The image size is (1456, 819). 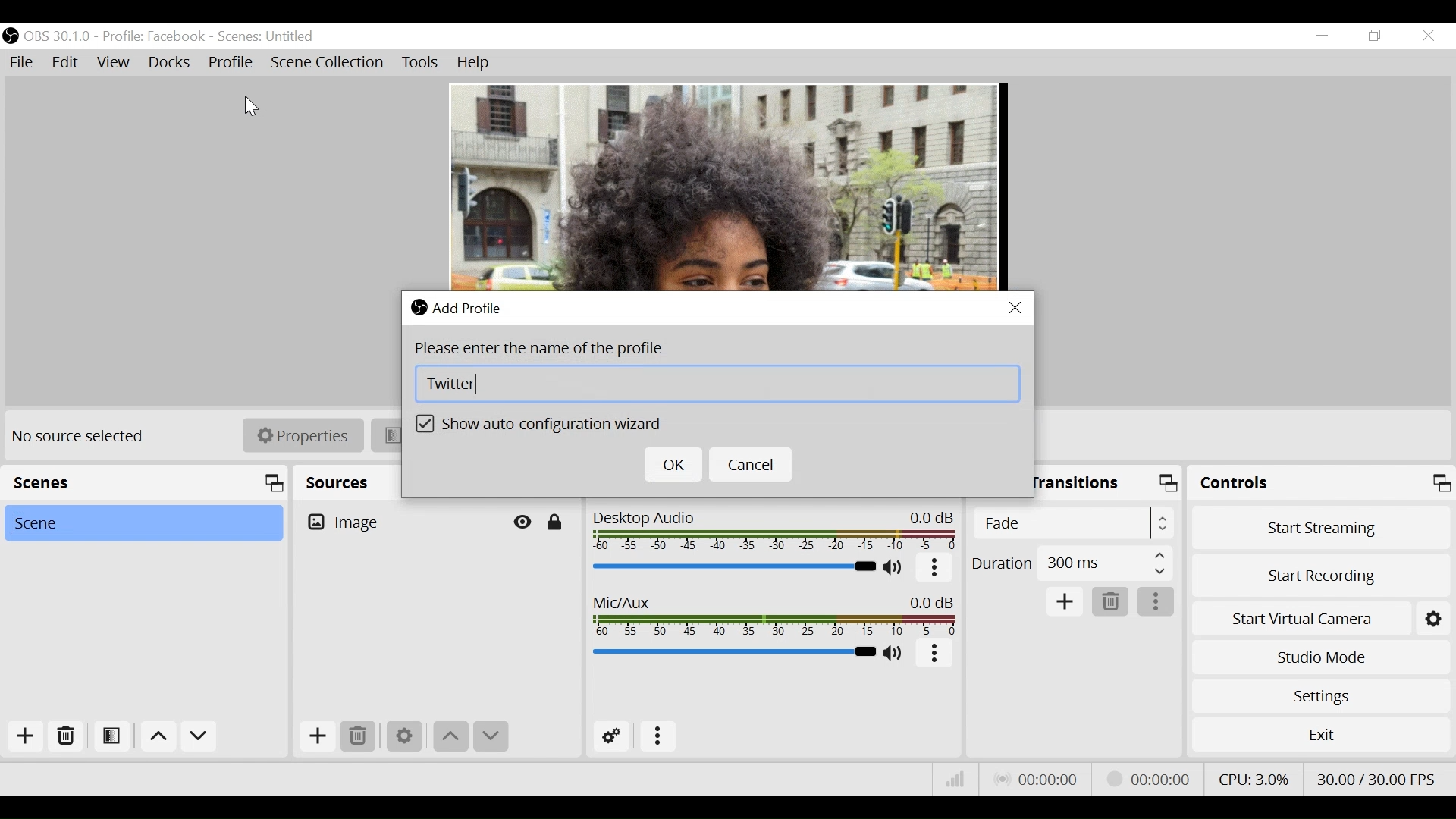 I want to click on OBS Version, so click(x=58, y=36).